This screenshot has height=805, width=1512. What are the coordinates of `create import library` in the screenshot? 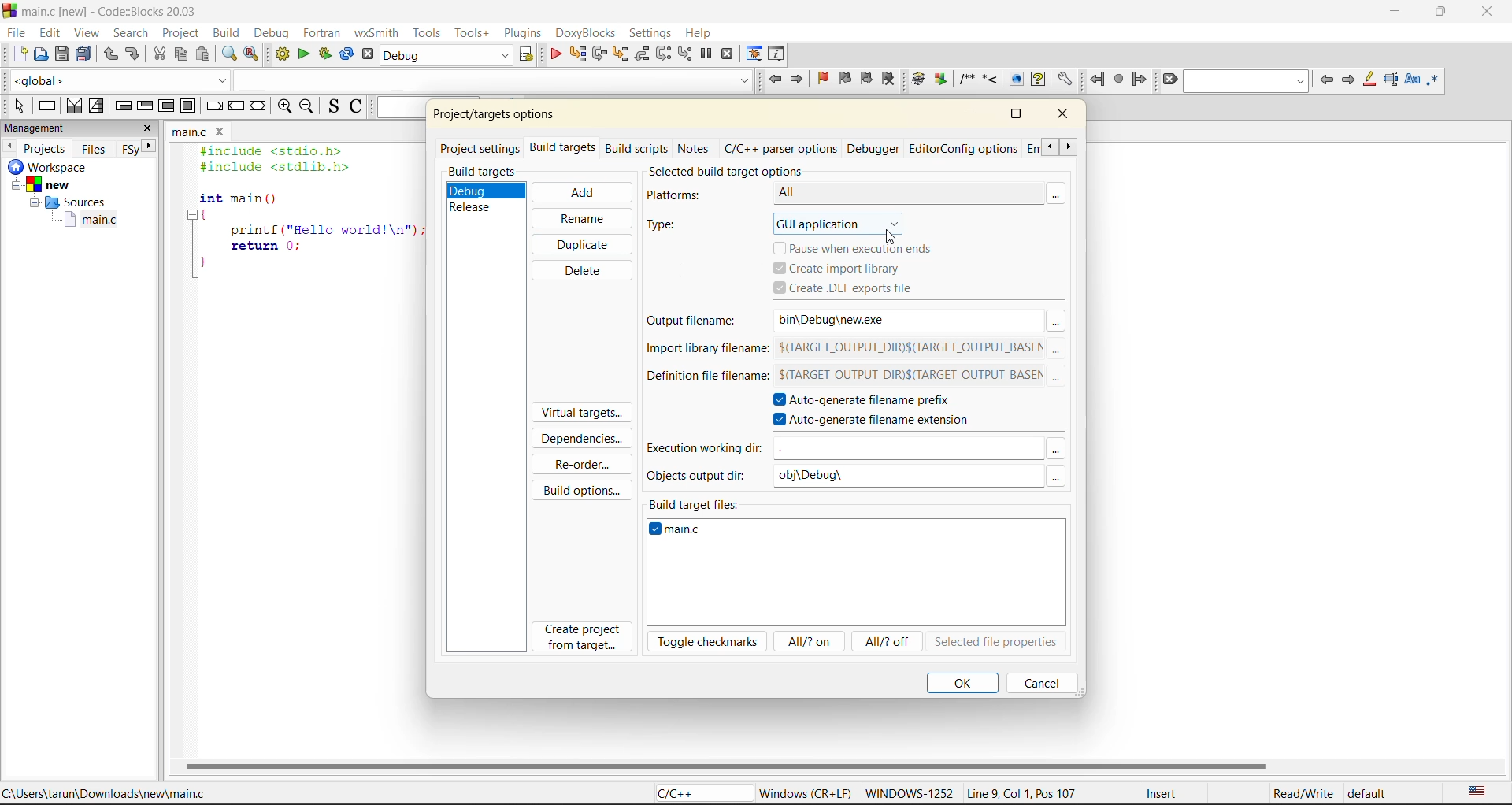 It's located at (840, 268).